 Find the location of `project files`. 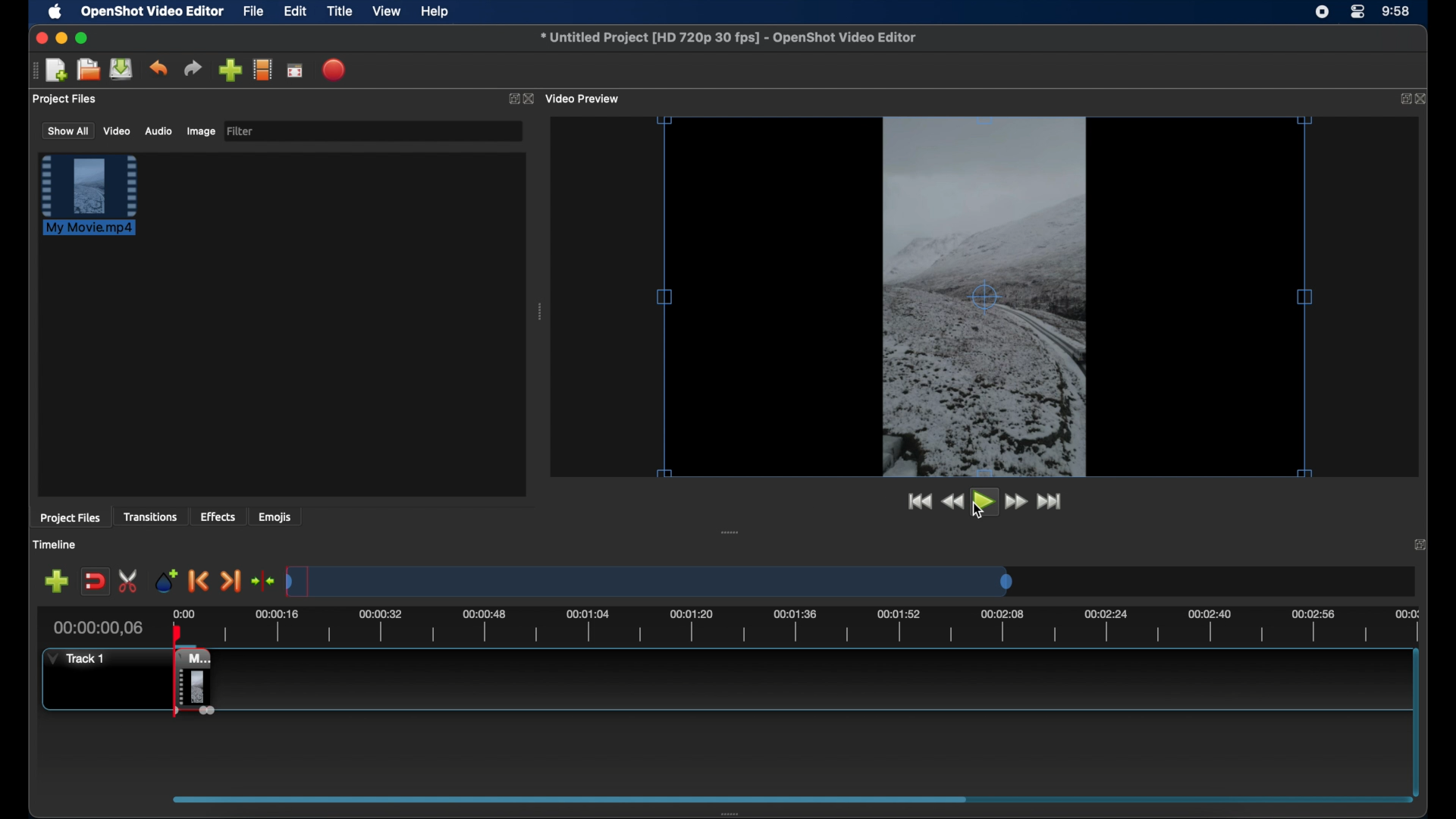

project files is located at coordinates (66, 99).